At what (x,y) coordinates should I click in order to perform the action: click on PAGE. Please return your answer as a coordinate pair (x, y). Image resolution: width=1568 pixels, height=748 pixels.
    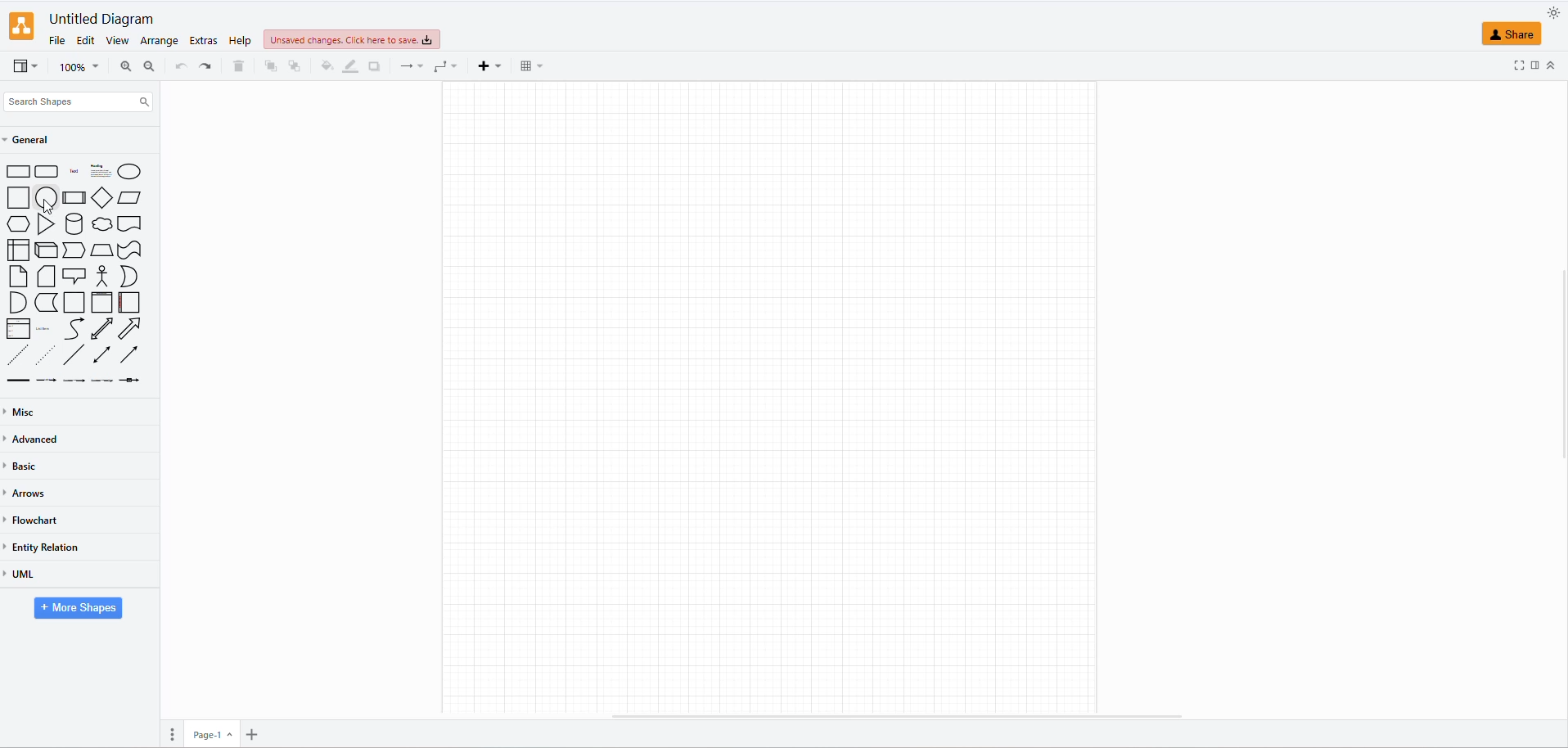
    Looking at the image, I should click on (212, 730).